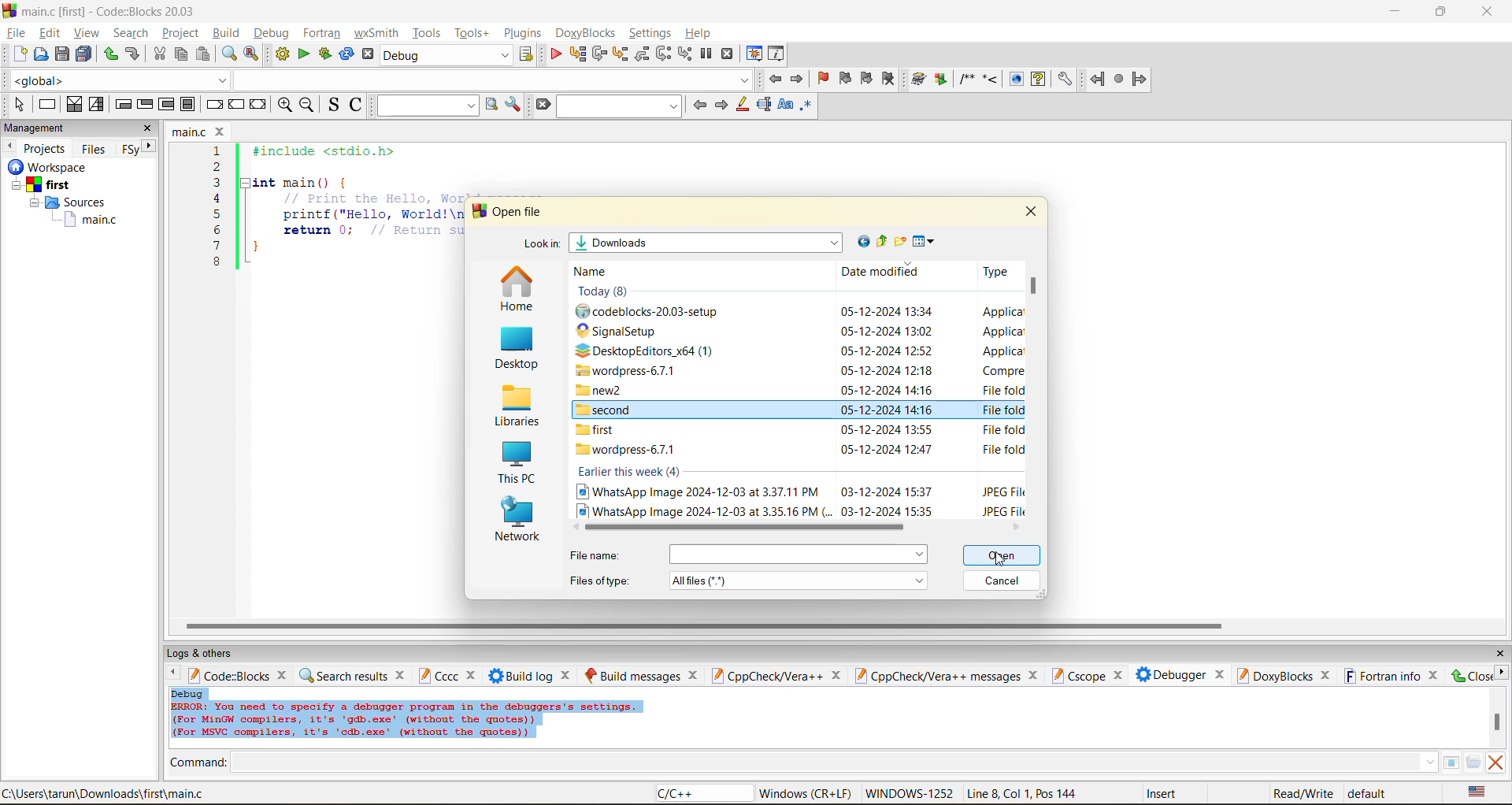 Image resolution: width=1512 pixels, height=805 pixels. What do you see at coordinates (524, 33) in the screenshot?
I see `plugins` at bounding box center [524, 33].